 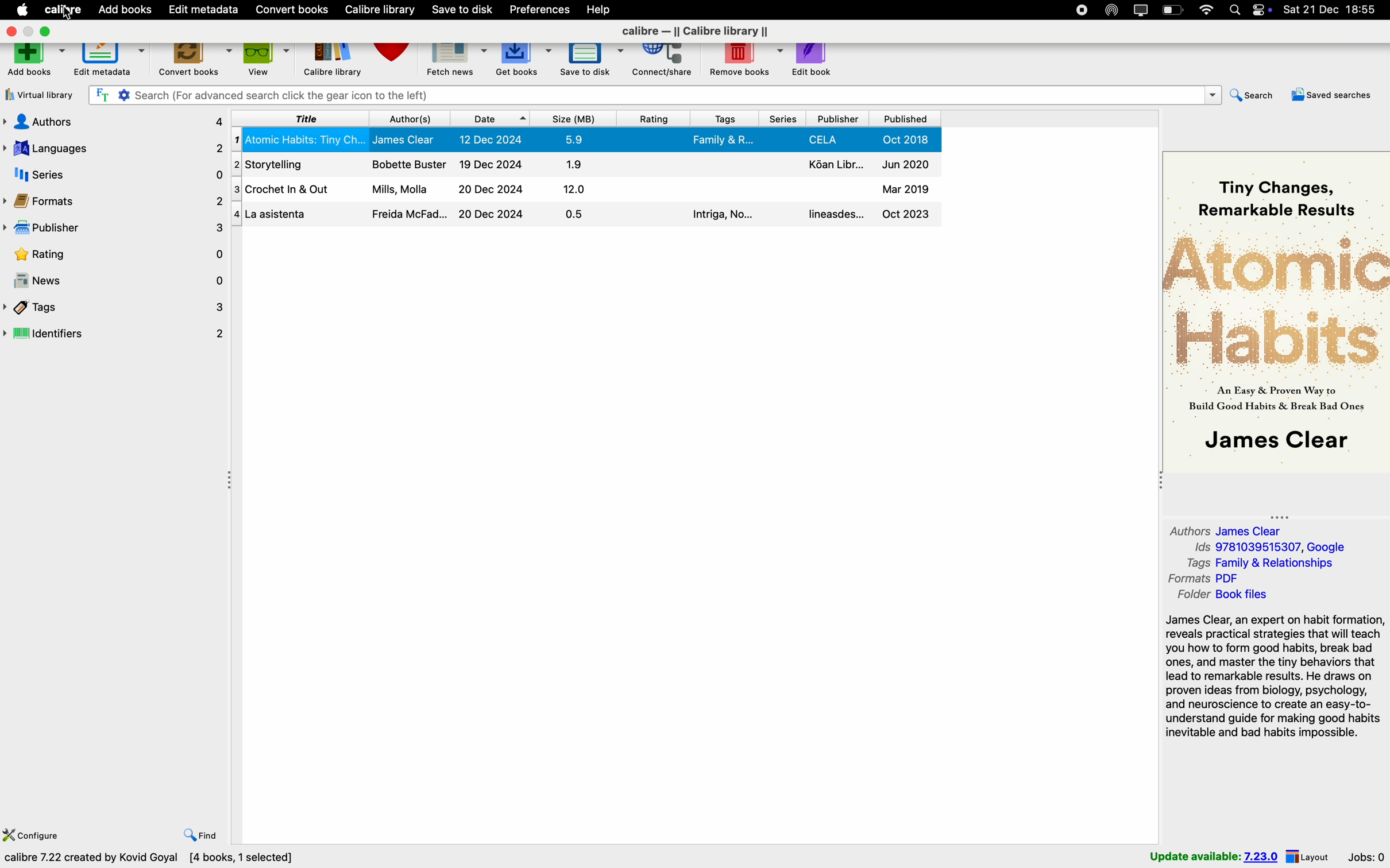 What do you see at coordinates (742, 62) in the screenshot?
I see `remove books` at bounding box center [742, 62].